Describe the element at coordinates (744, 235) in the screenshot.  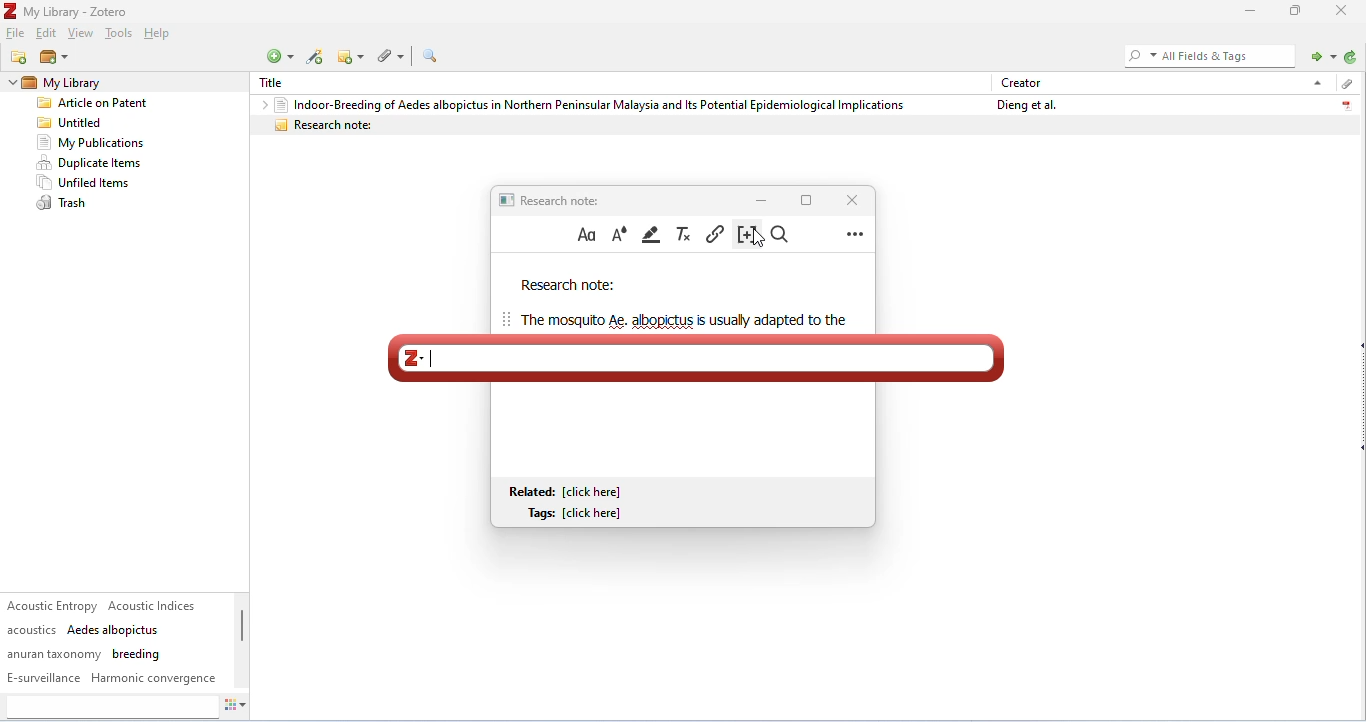
I see `insert citation` at that location.